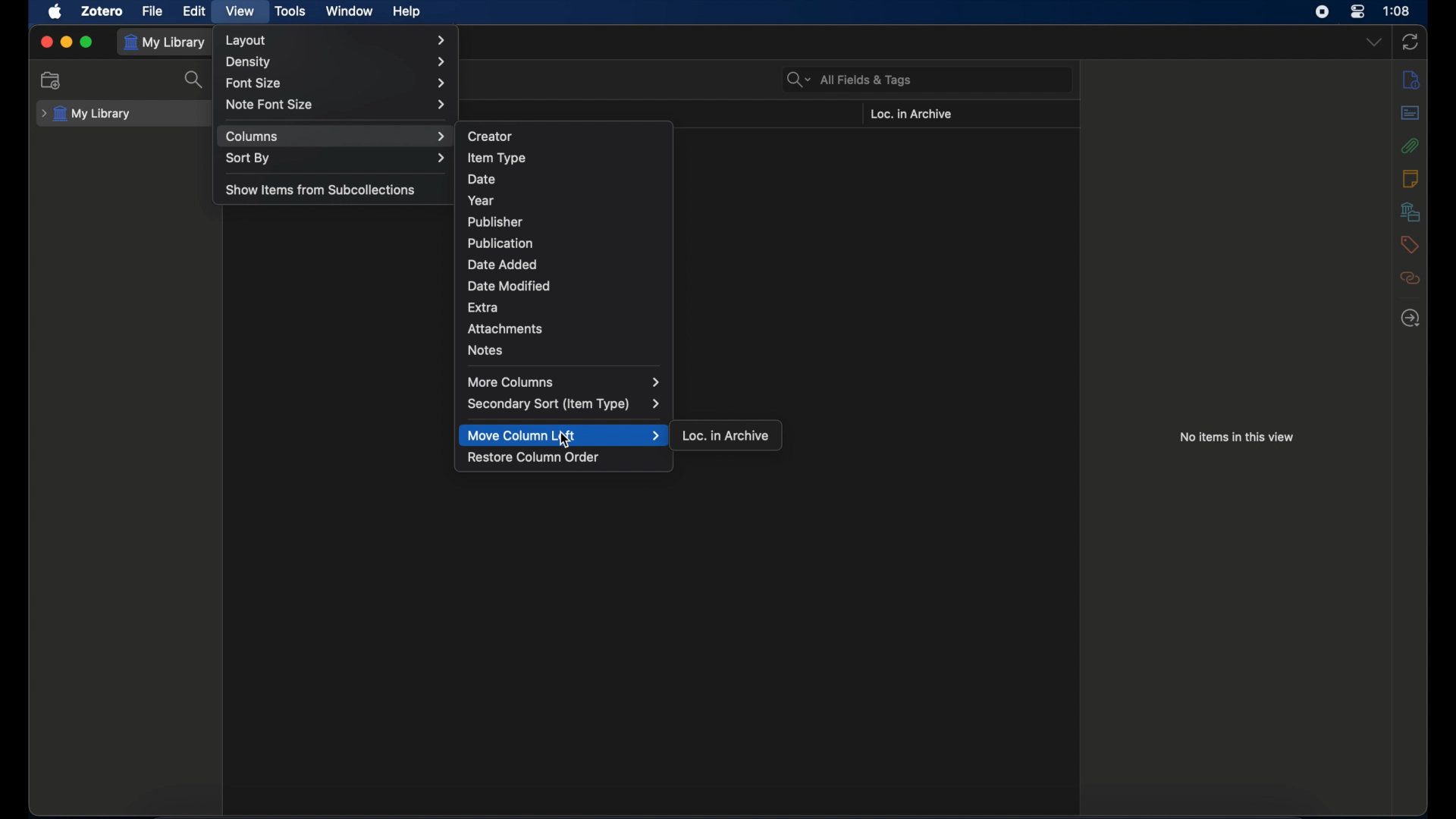 The image size is (1456, 819). What do you see at coordinates (483, 309) in the screenshot?
I see `extra` at bounding box center [483, 309].